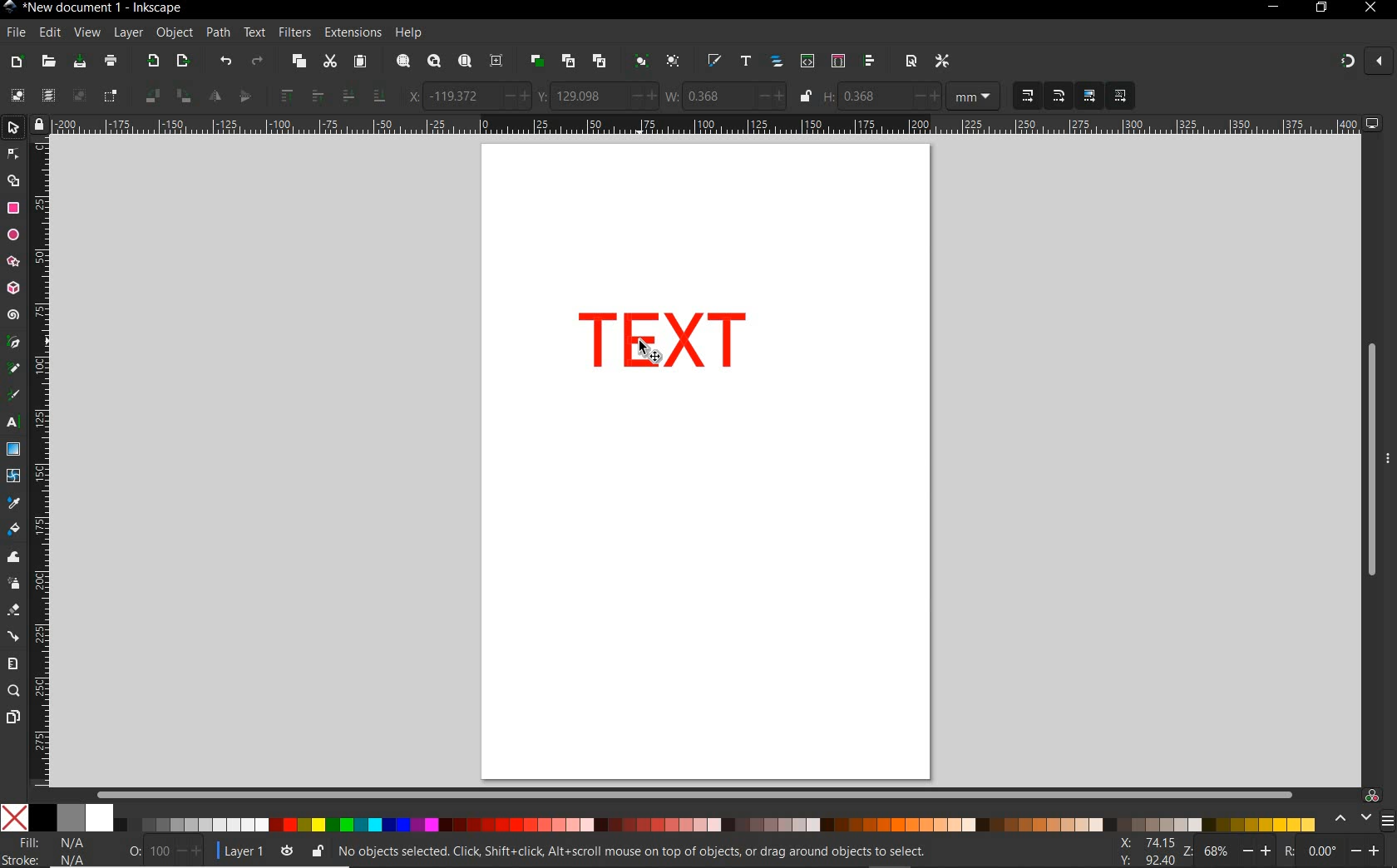  Describe the element at coordinates (639, 60) in the screenshot. I see `GROUP` at that location.